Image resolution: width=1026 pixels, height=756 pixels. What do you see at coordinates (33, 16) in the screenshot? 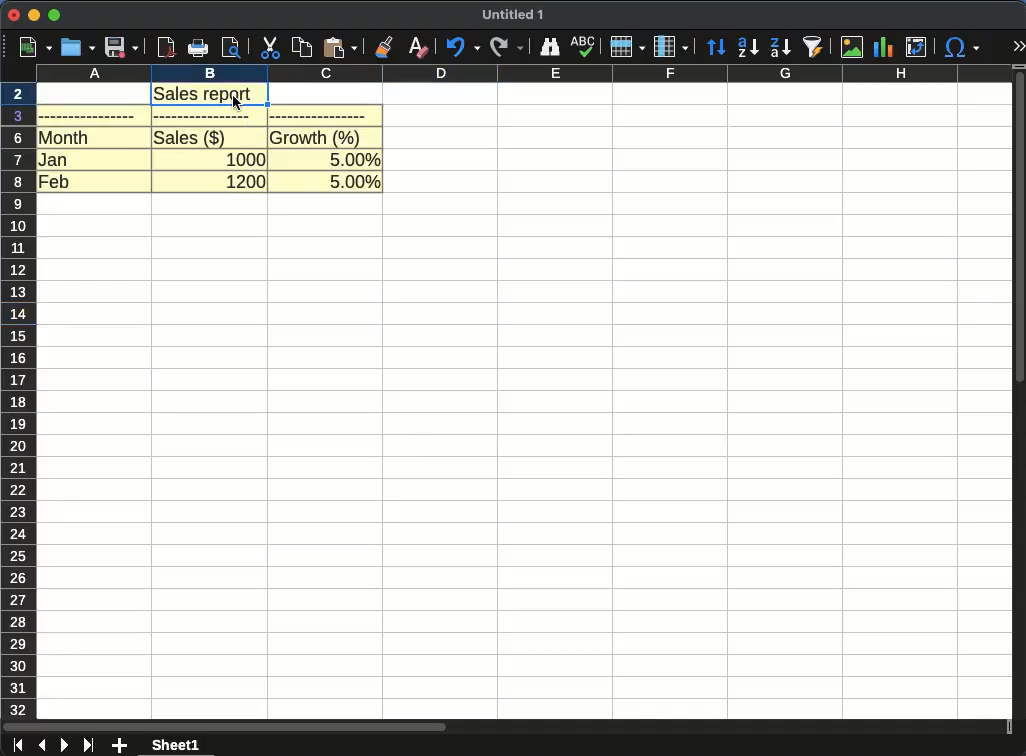
I see `minimize` at bounding box center [33, 16].